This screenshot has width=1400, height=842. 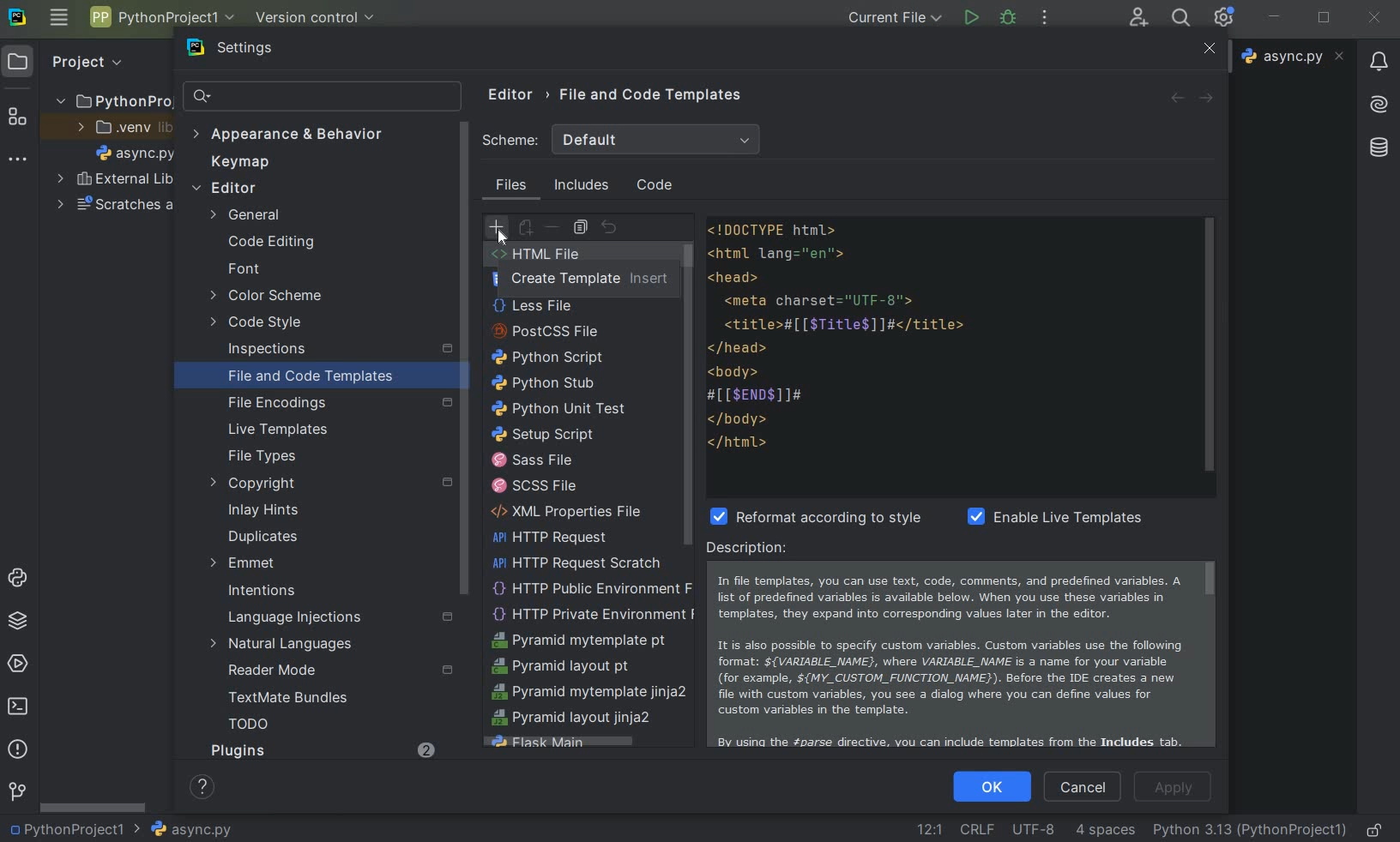 I want to click on live templates, so click(x=290, y=430).